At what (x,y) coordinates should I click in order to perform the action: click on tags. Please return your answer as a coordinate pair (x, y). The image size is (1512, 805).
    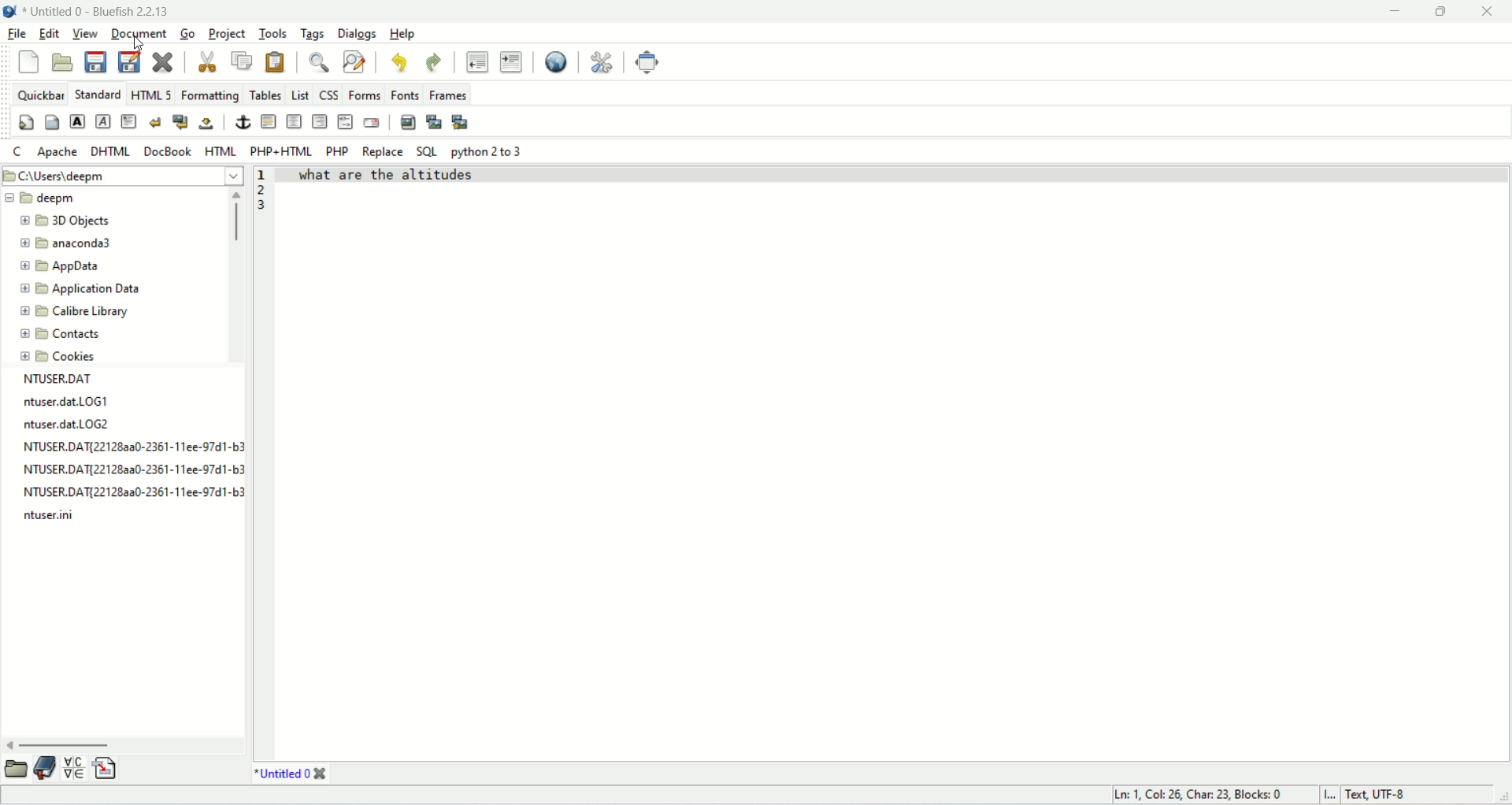
    Looking at the image, I should click on (312, 35).